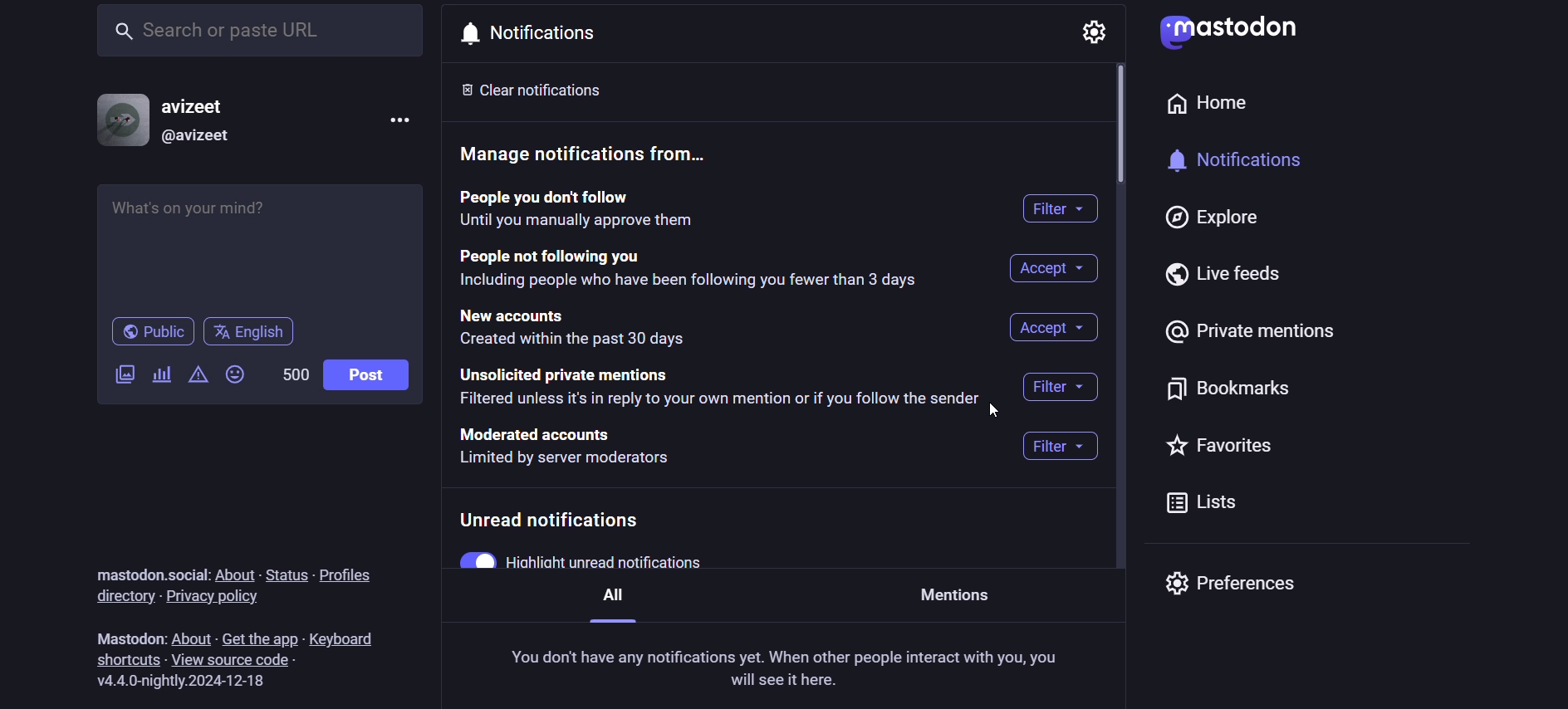 The image size is (1568, 709). What do you see at coordinates (157, 374) in the screenshot?
I see `Add a poll` at bounding box center [157, 374].